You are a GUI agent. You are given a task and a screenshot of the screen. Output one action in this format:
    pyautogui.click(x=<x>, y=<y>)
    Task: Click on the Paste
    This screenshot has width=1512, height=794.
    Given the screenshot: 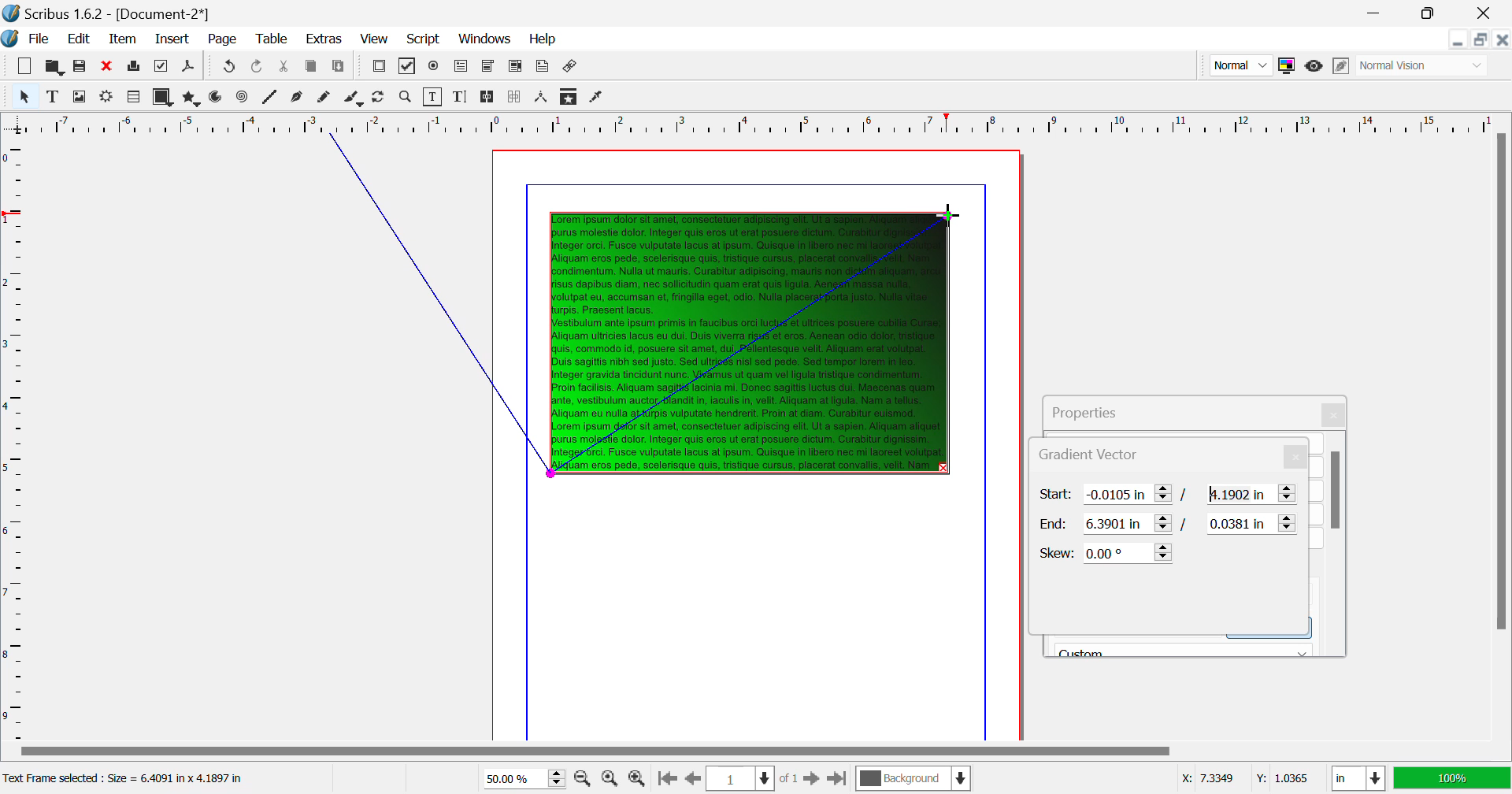 What is the action you would take?
    pyautogui.click(x=340, y=69)
    